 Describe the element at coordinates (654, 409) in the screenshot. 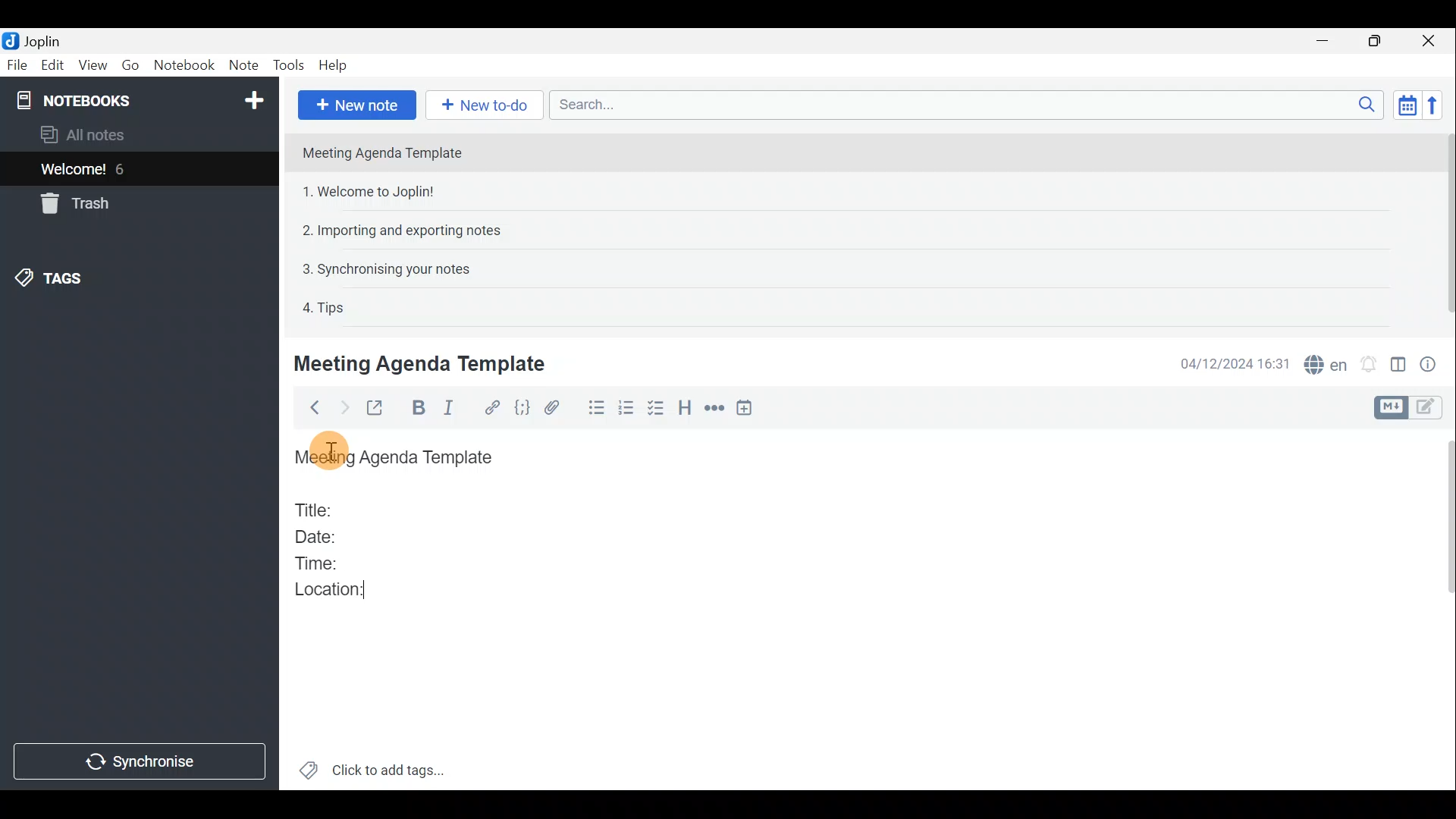

I see `Checkbox` at that location.